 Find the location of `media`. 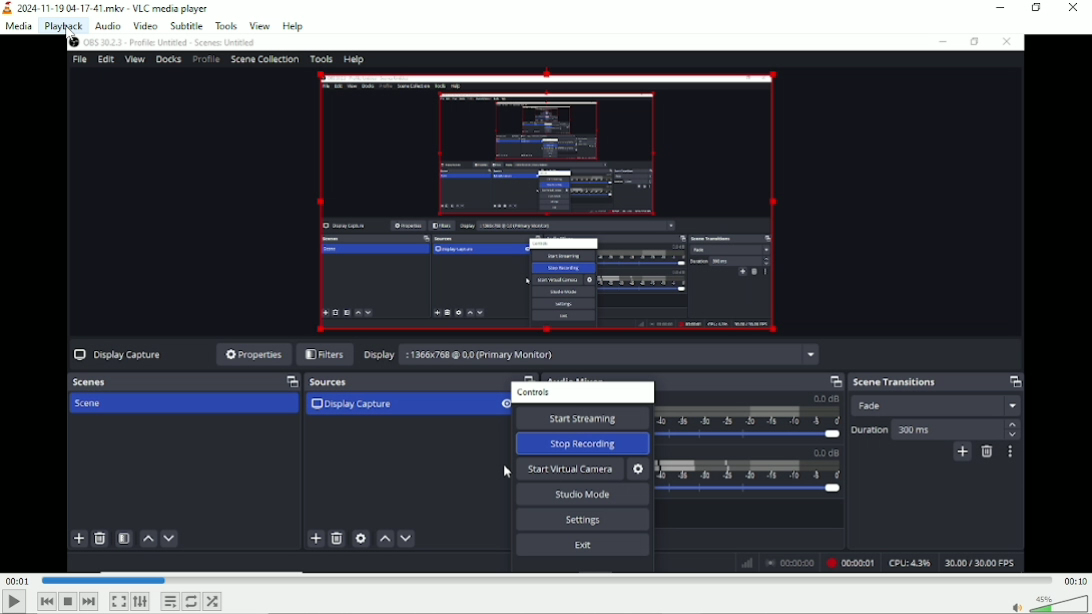

media is located at coordinates (19, 26).